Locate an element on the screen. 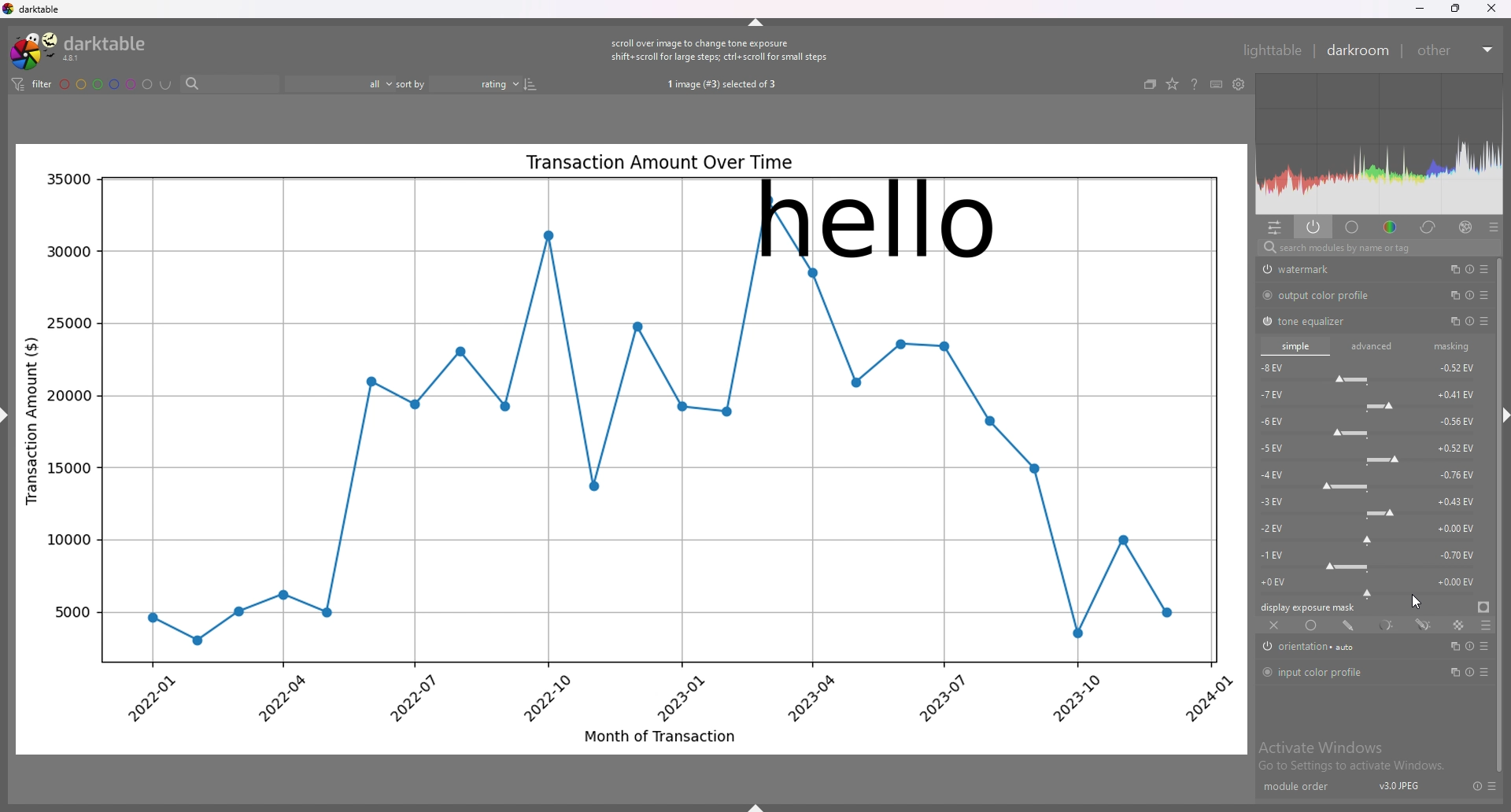 Image resolution: width=1511 pixels, height=812 pixels. base is located at coordinates (1353, 227).